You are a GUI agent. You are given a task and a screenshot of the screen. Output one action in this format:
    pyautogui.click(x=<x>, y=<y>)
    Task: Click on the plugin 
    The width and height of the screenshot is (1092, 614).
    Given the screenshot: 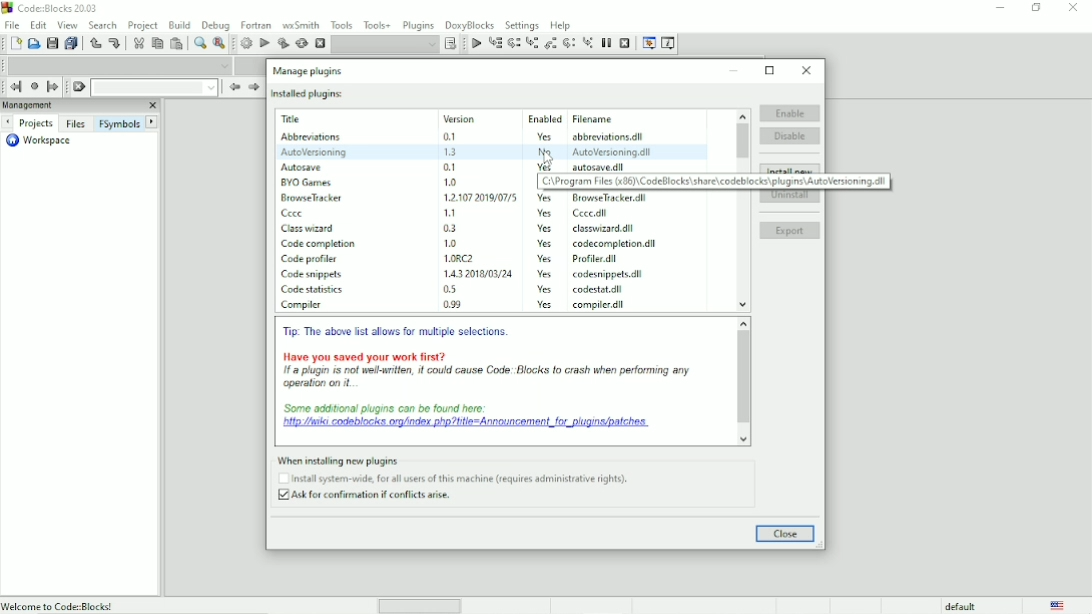 What is the action you would take?
    pyautogui.click(x=309, y=274)
    